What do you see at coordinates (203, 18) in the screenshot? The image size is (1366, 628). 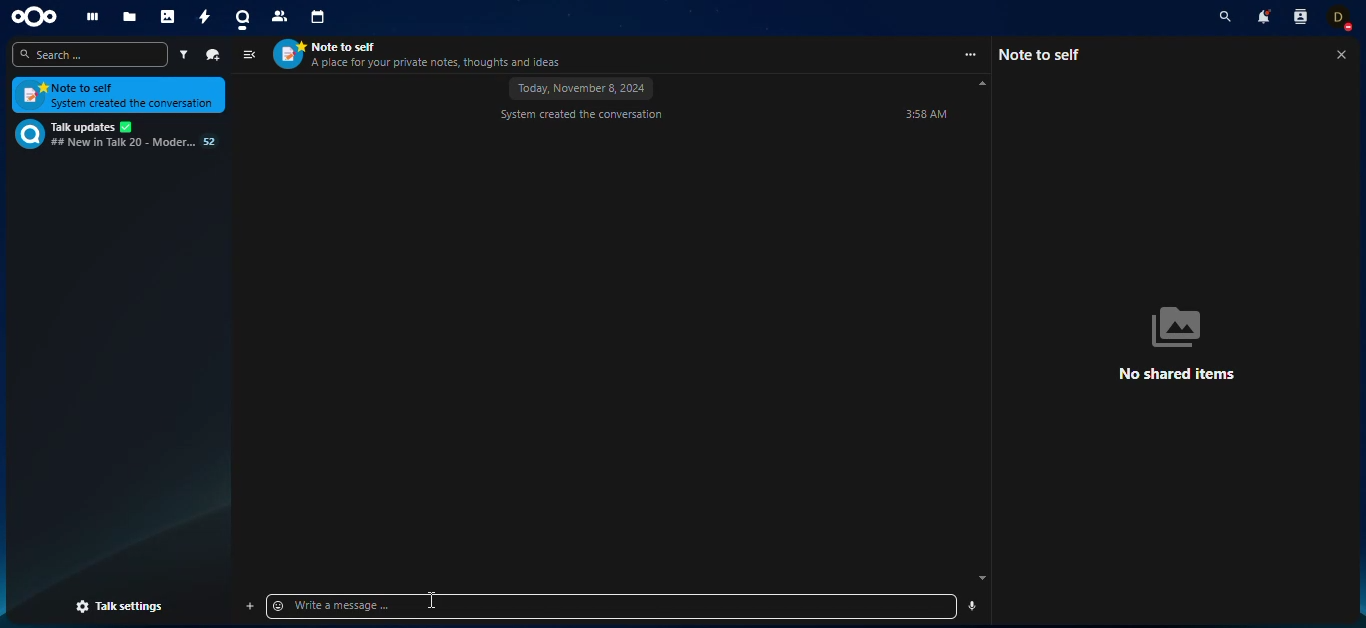 I see `activity` at bounding box center [203, 18].